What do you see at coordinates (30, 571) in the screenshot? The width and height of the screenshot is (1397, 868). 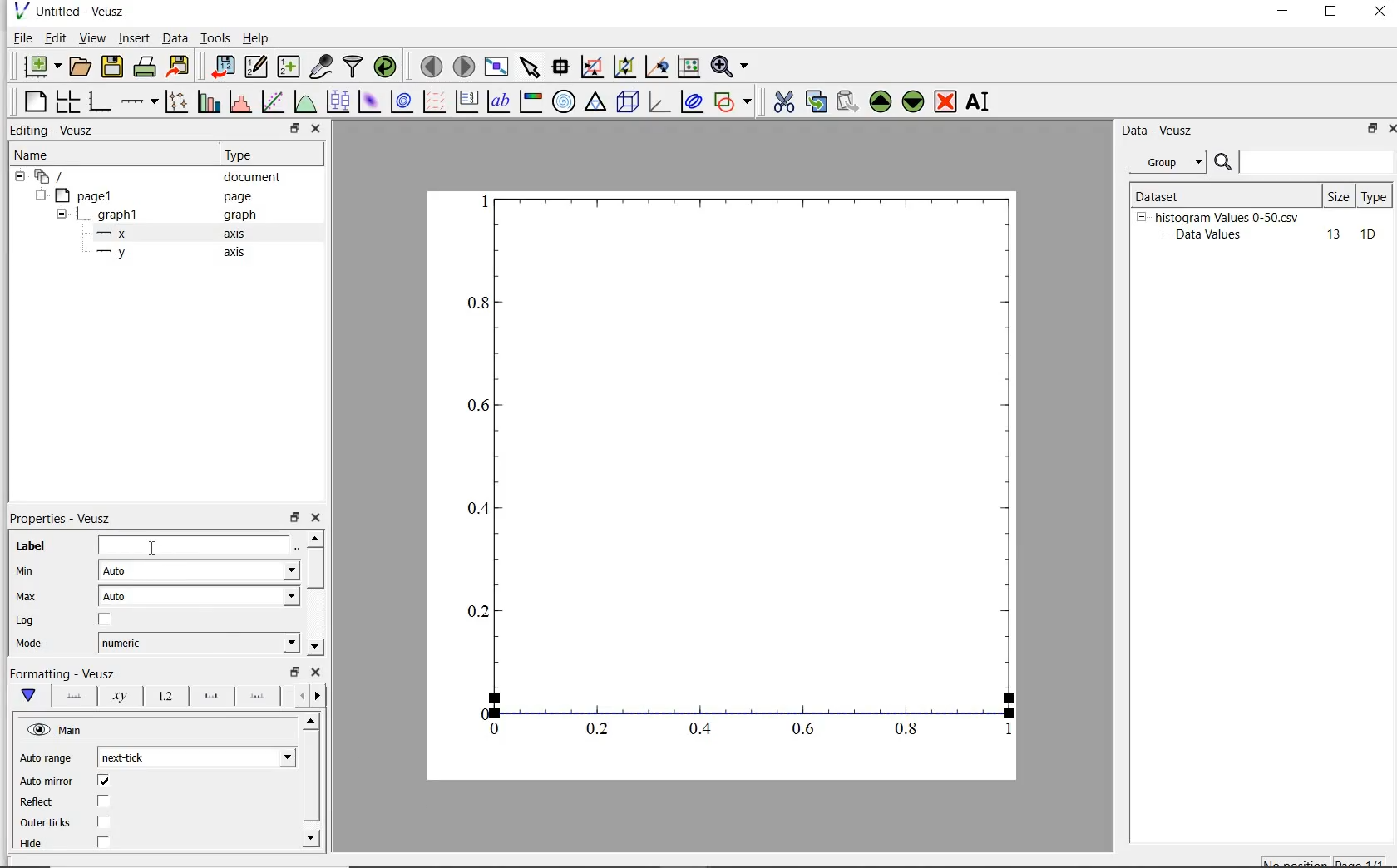 I see `min` at bounding box center [30, 571].